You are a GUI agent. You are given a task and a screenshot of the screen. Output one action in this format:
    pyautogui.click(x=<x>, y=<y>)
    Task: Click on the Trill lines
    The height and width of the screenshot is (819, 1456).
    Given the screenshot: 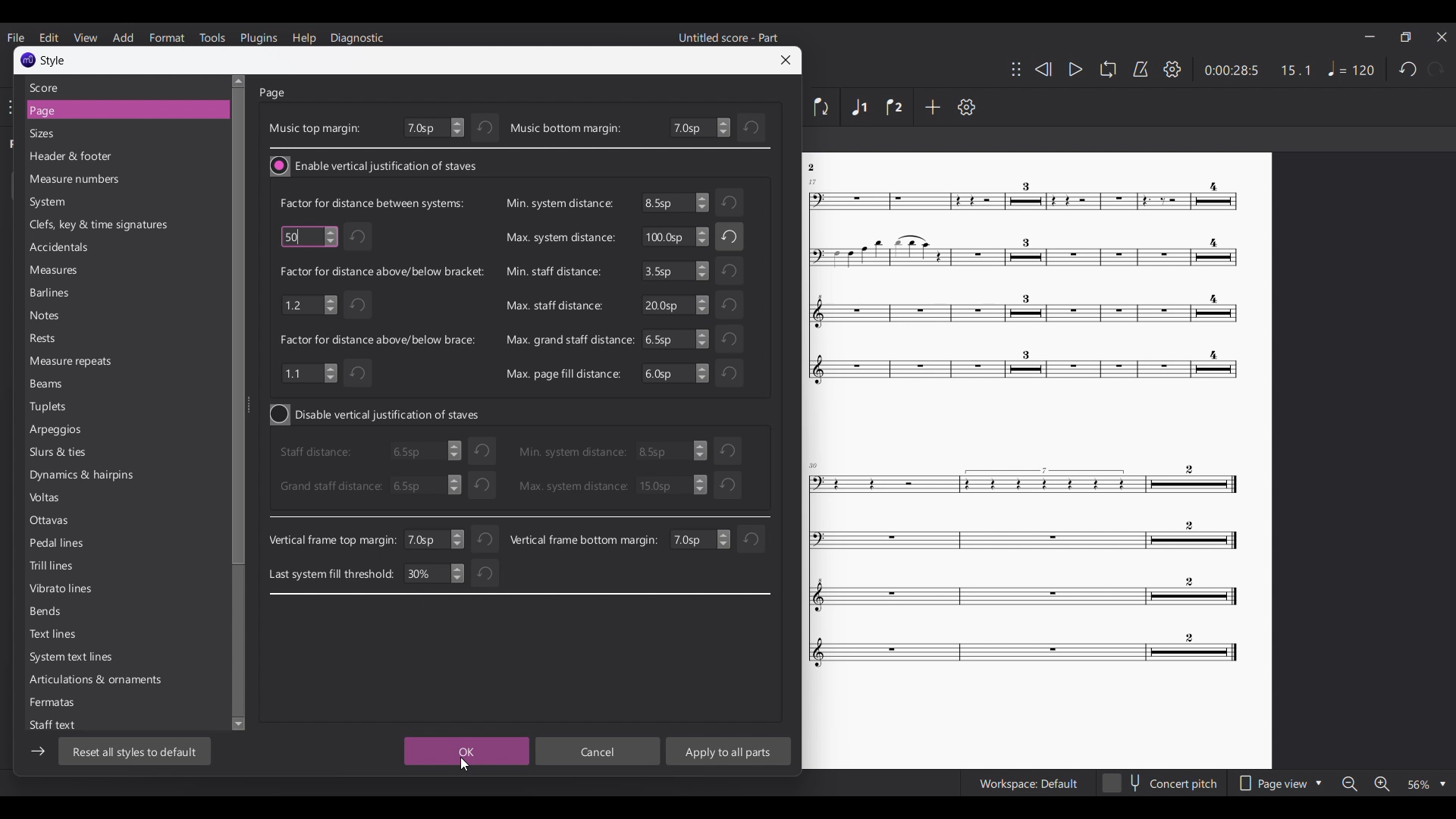 What is the action you would take?
    pyautogui.click(x=81, y=566)
    